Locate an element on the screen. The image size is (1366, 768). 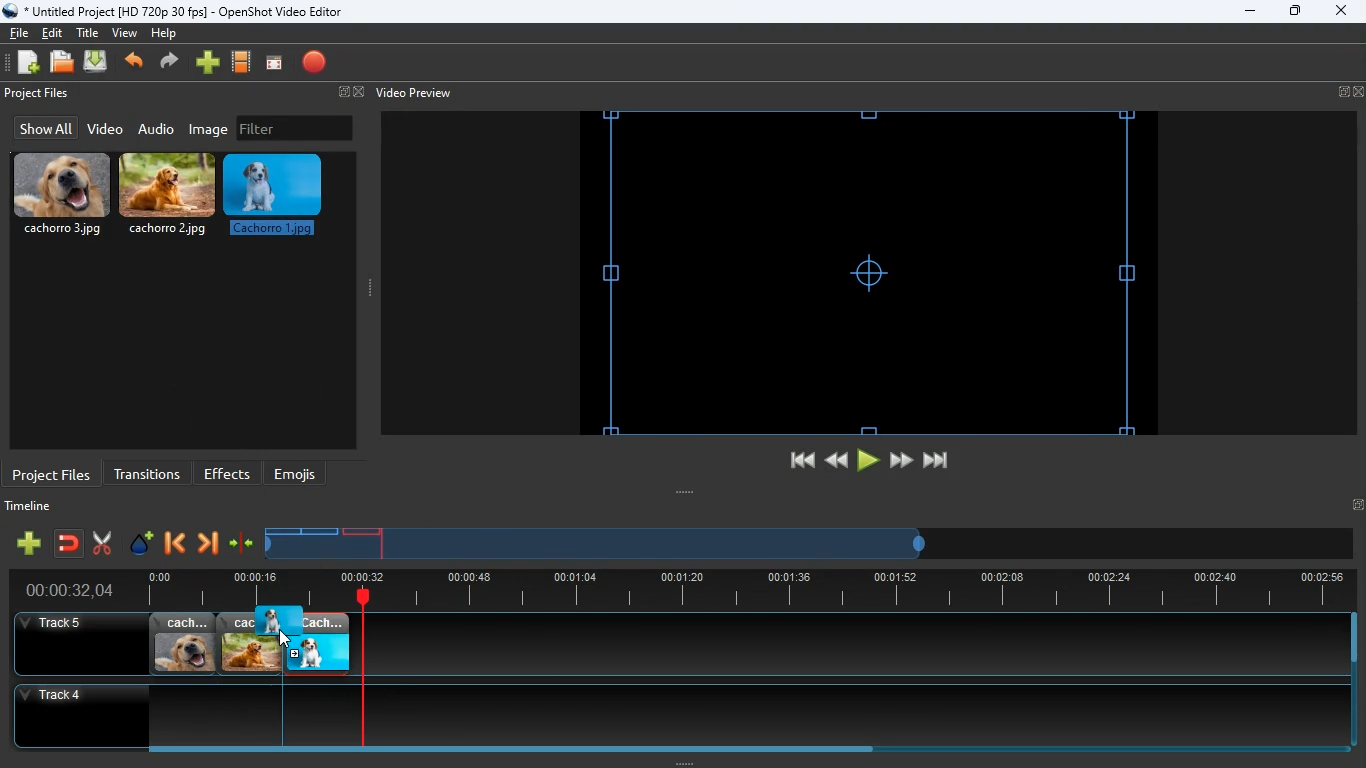
record is located at coordinates (316, 64).